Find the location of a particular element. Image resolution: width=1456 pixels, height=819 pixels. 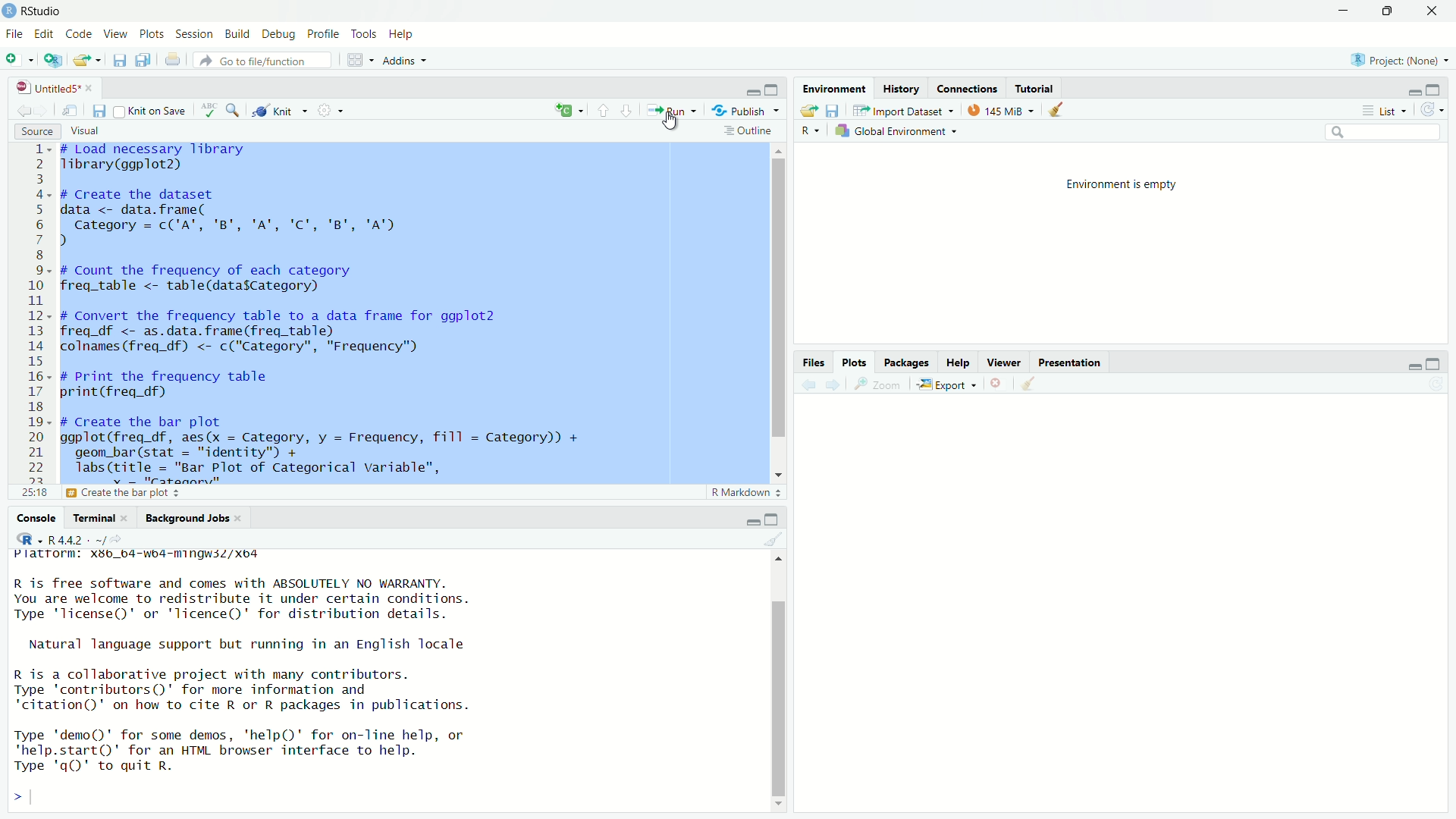

vertical scrollbar is located at coordinates (780, 297).